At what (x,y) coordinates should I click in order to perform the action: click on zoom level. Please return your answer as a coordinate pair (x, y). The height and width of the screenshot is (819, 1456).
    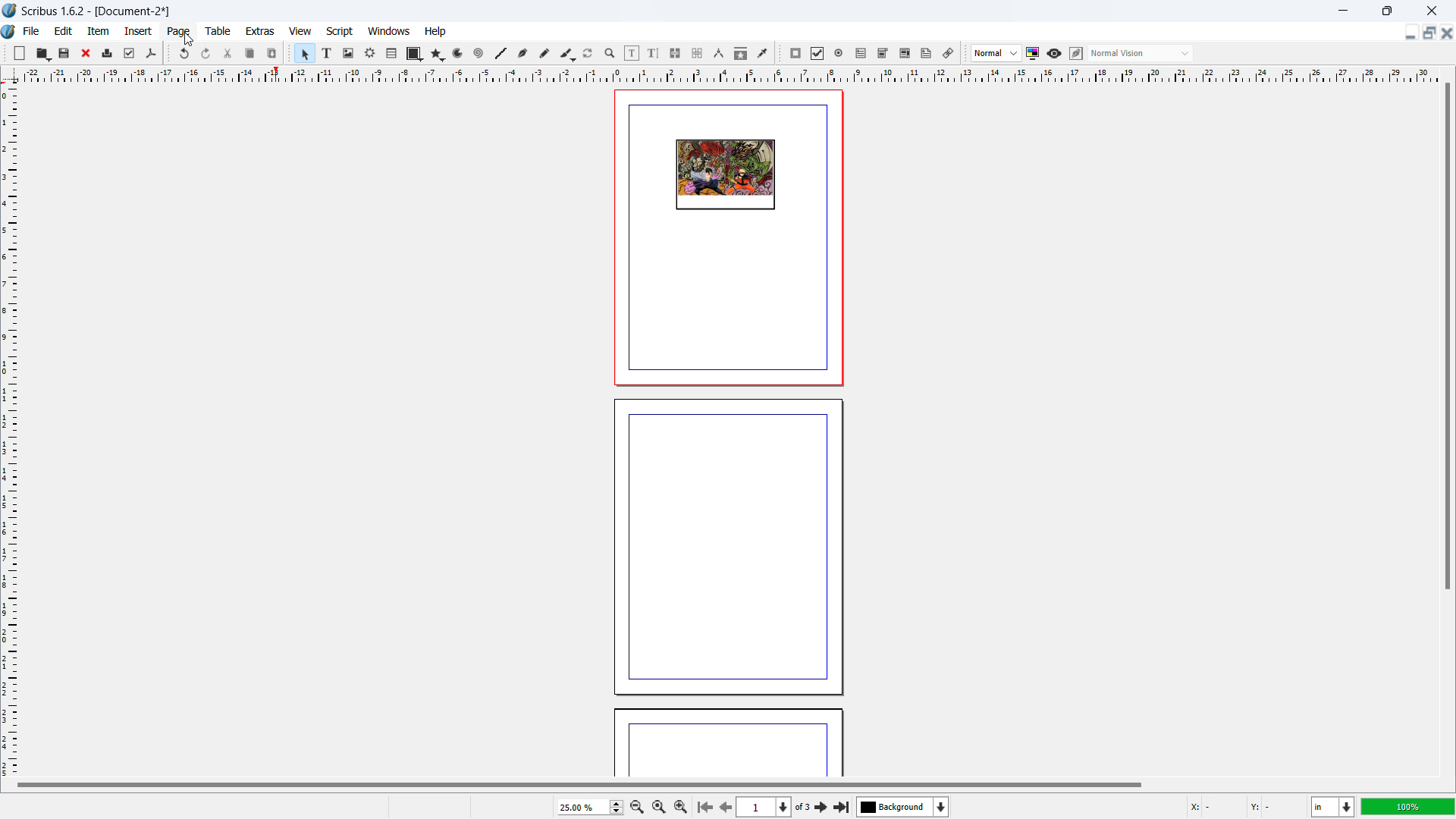
    Looking at the image, I should click on (590, 807).